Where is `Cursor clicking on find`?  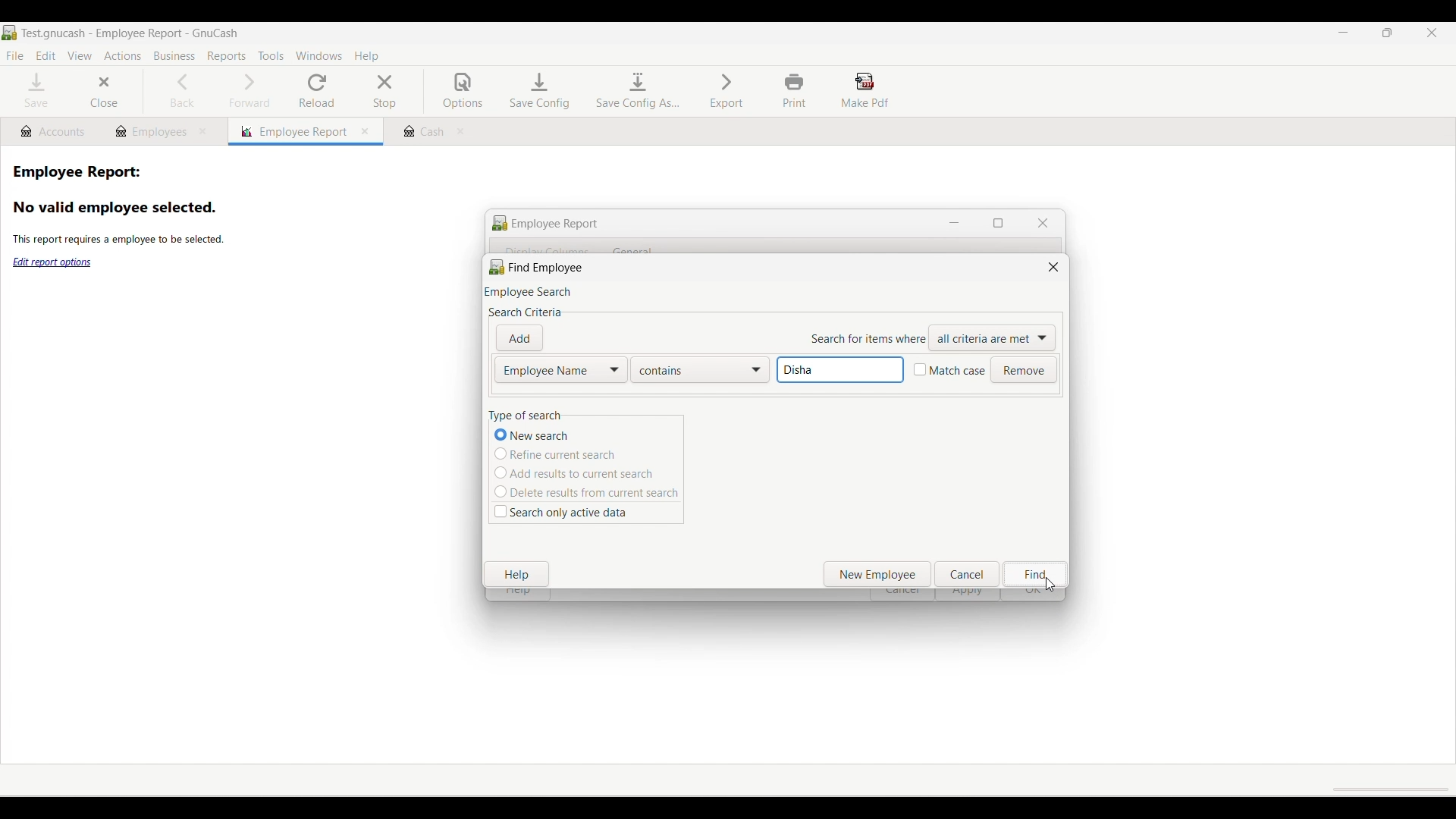 Cursor clicking on find is located at coordinates (1050, 585).